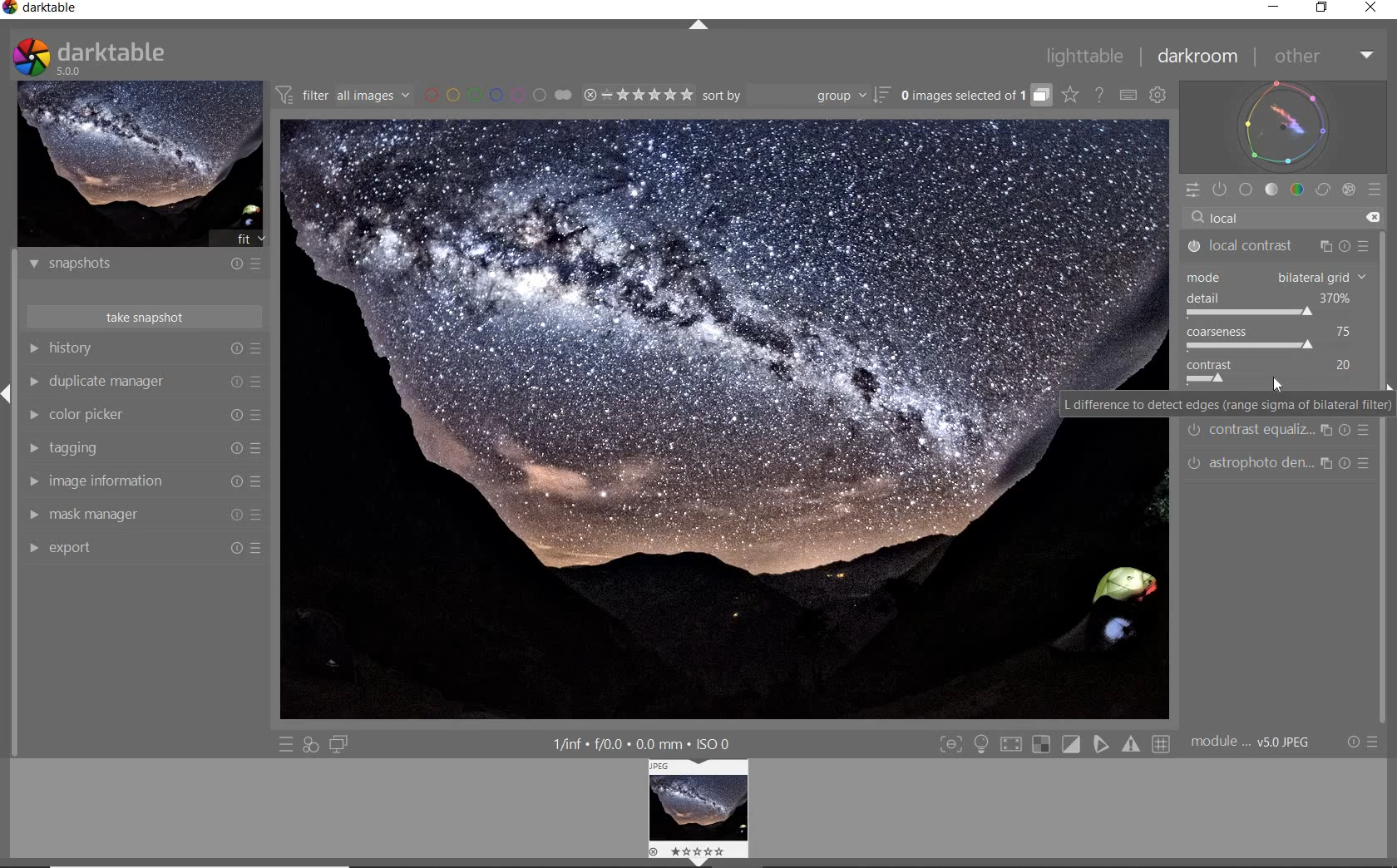 The image size is (1397, 868). I want to click on DARKROOM, so click(1199, 56).